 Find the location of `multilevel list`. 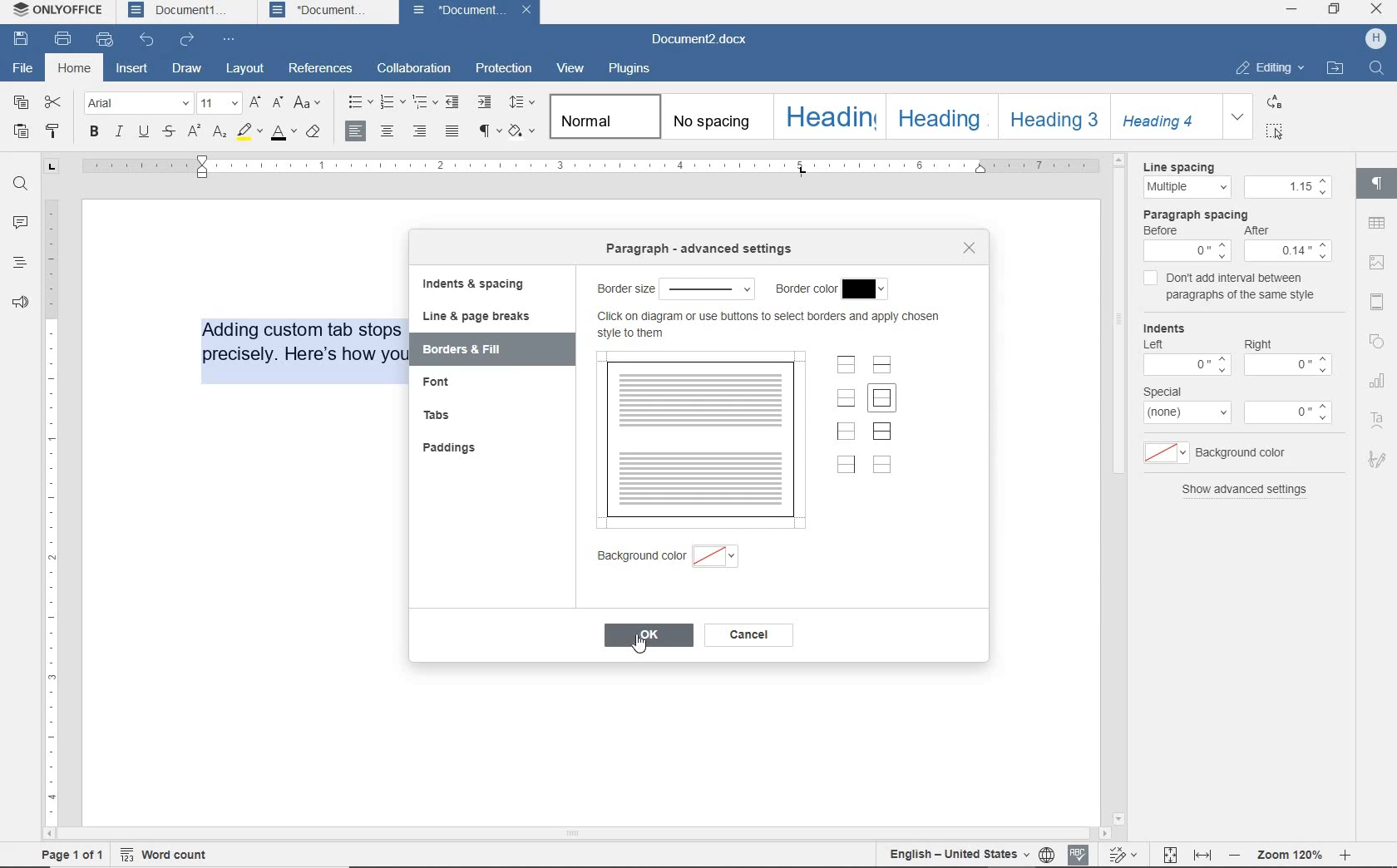

multilevel list is located at coordinates (422, 100).